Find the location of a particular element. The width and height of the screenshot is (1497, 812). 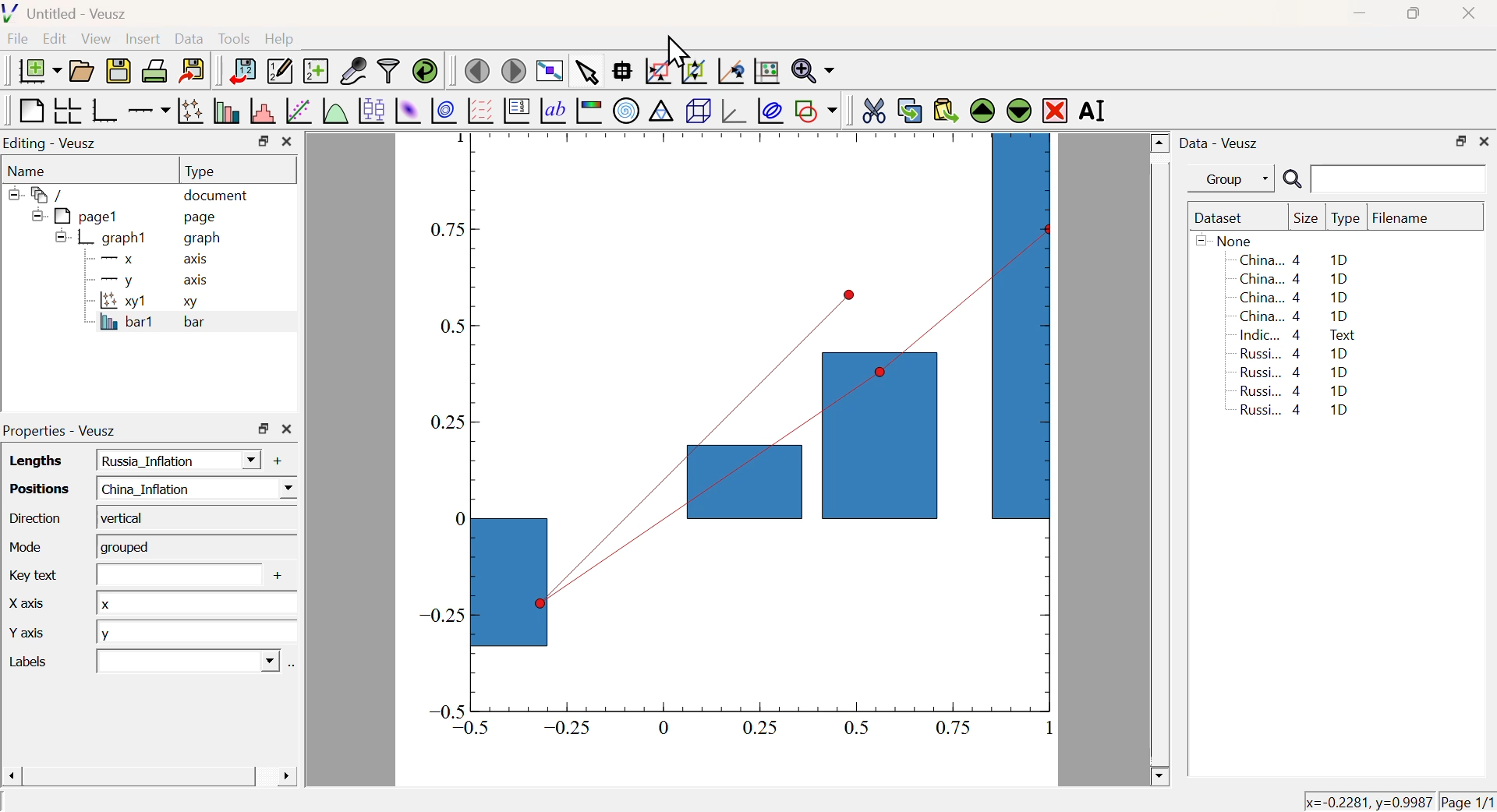

Paste from Clipboard is located at coordinates (946, 110).